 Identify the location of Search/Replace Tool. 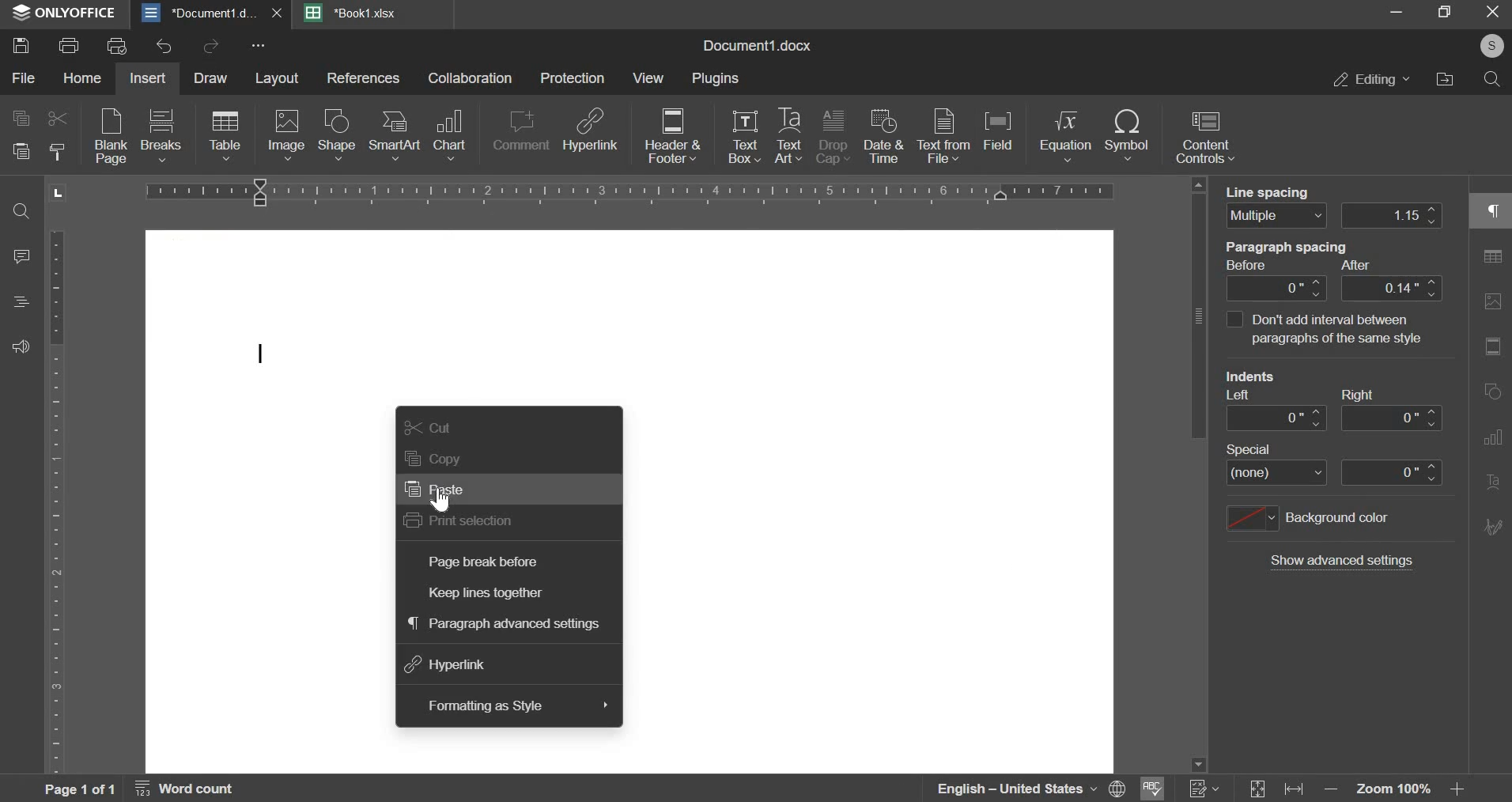
(1491, 258).